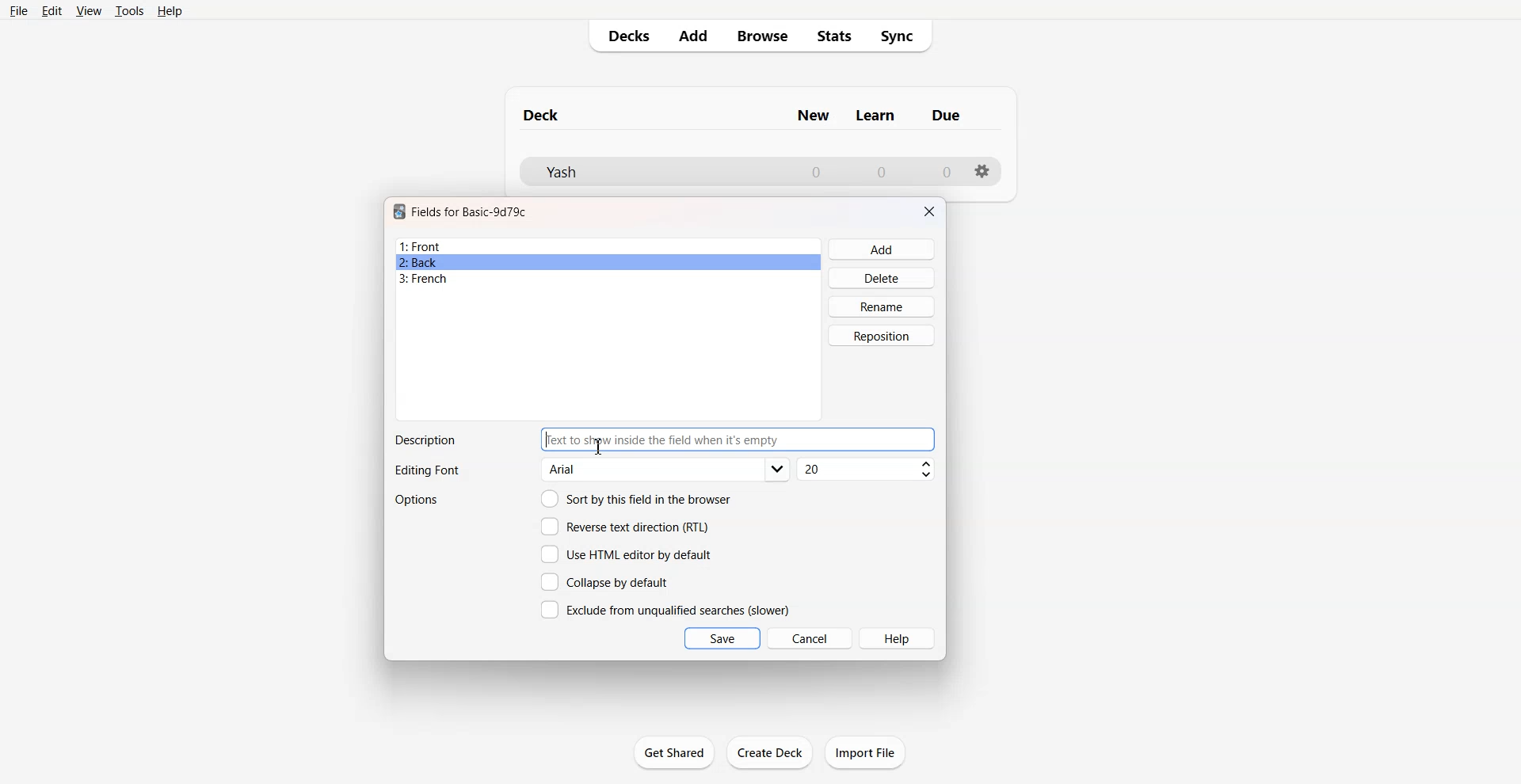 Image resolution: width=1521 pixels, height=784 pixels. I want to click on Reposition, so click(882, 336).